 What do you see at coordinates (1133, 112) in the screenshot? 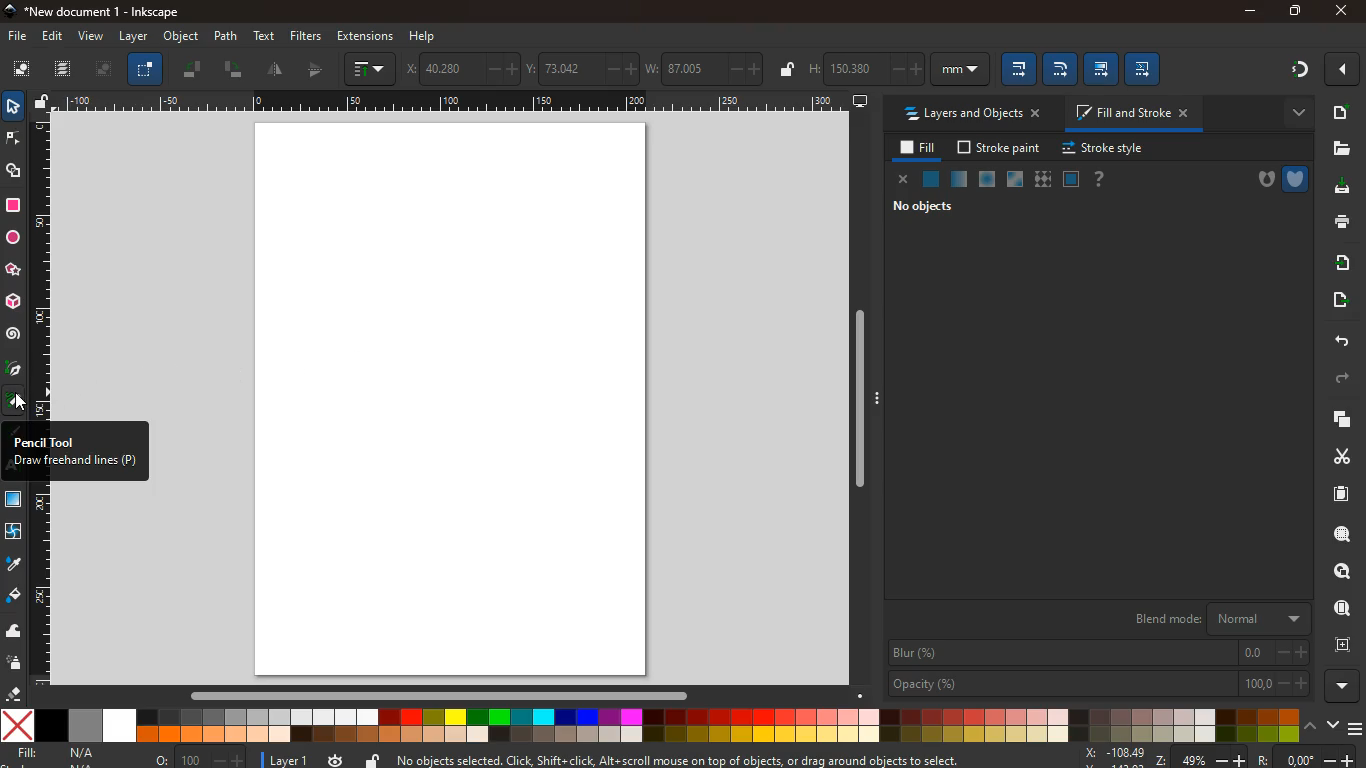
I see `fill and stroke` at bounding box center [1133, 112].